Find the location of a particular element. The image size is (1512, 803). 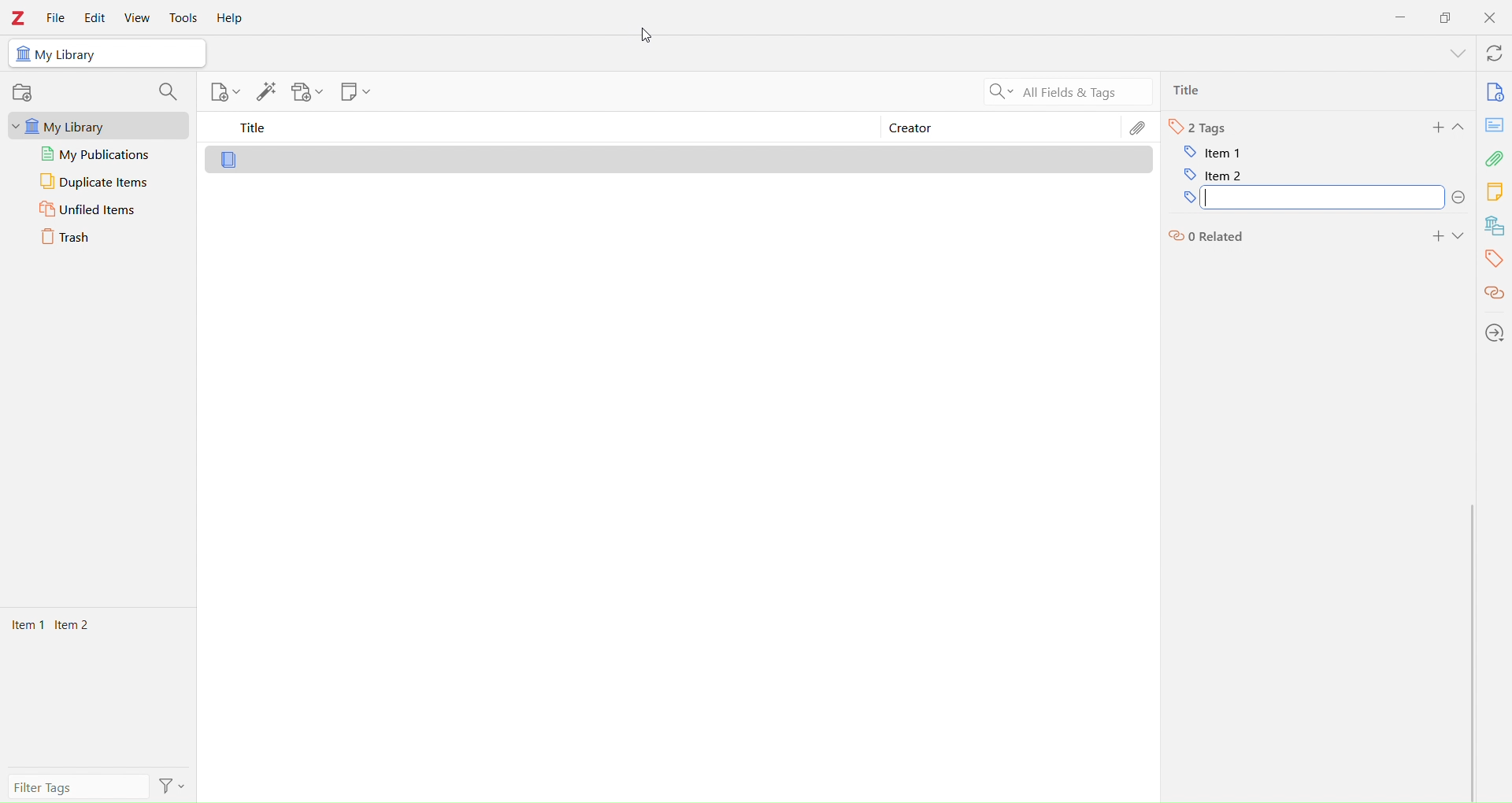

Edit is located at coordinates (93, 14).